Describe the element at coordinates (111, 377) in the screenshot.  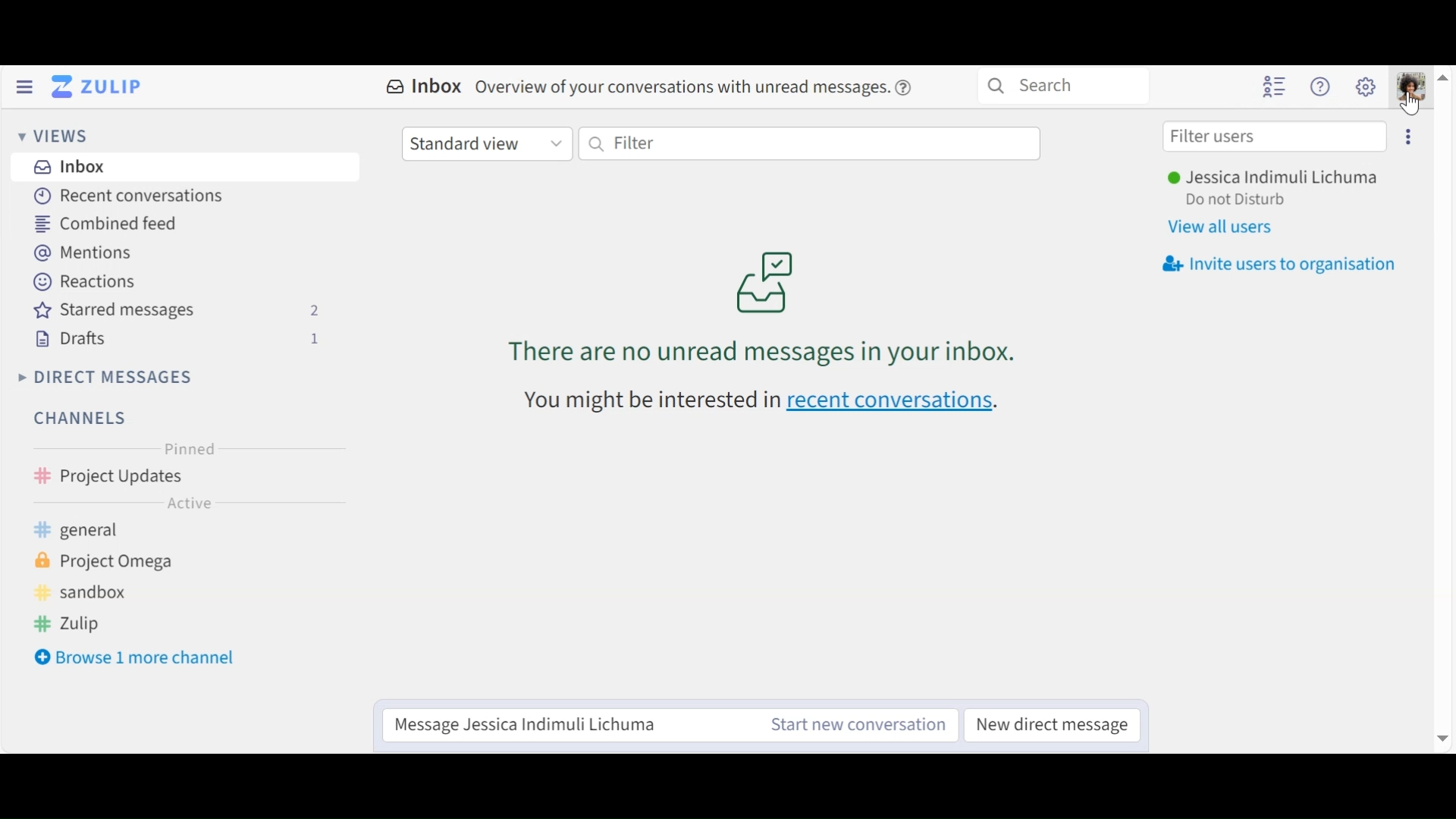
I see `Direct messages` at that location.